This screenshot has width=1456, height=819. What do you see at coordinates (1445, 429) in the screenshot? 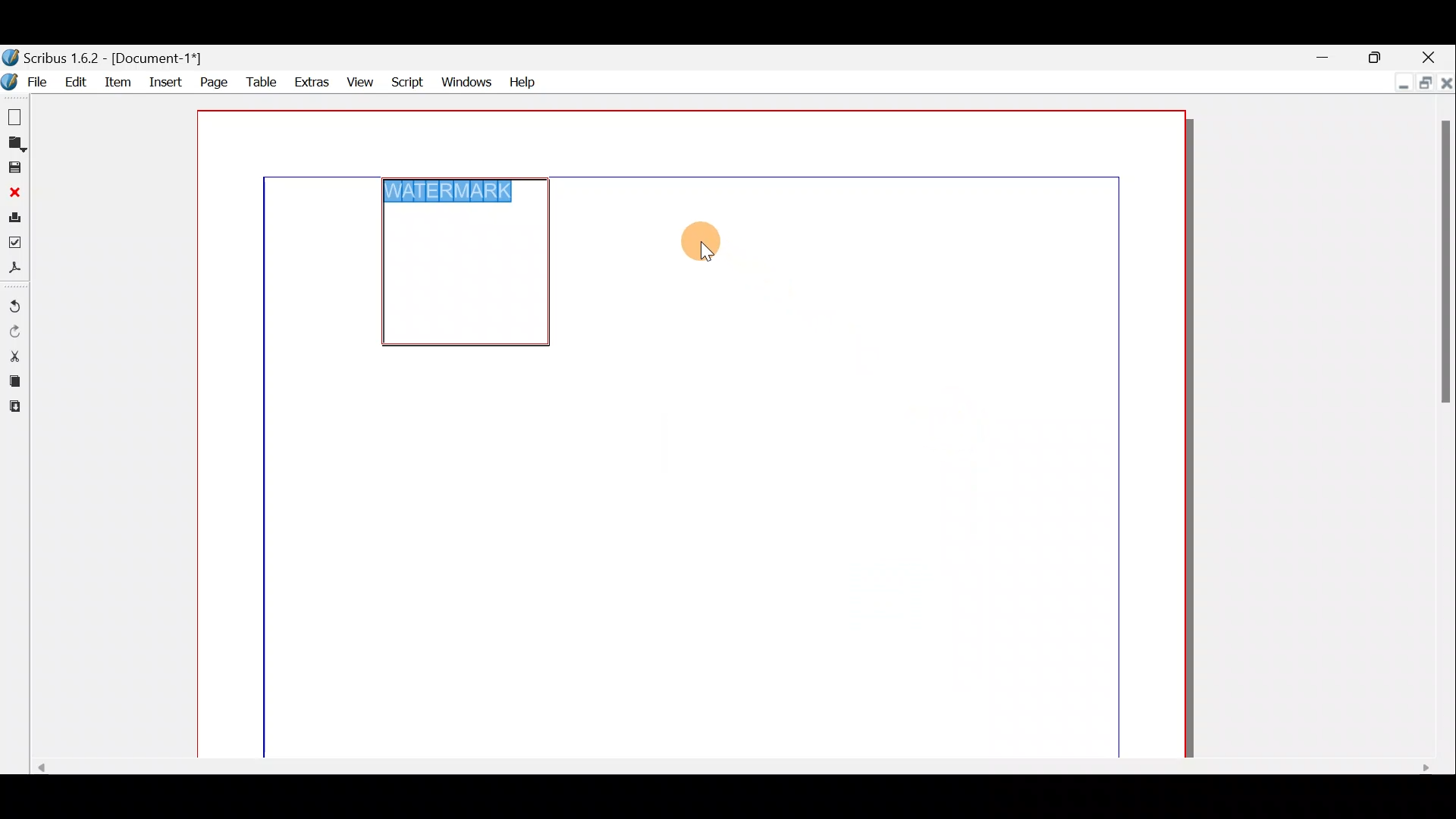
I see `Scroll bar` at bounding box center [1445, 429].